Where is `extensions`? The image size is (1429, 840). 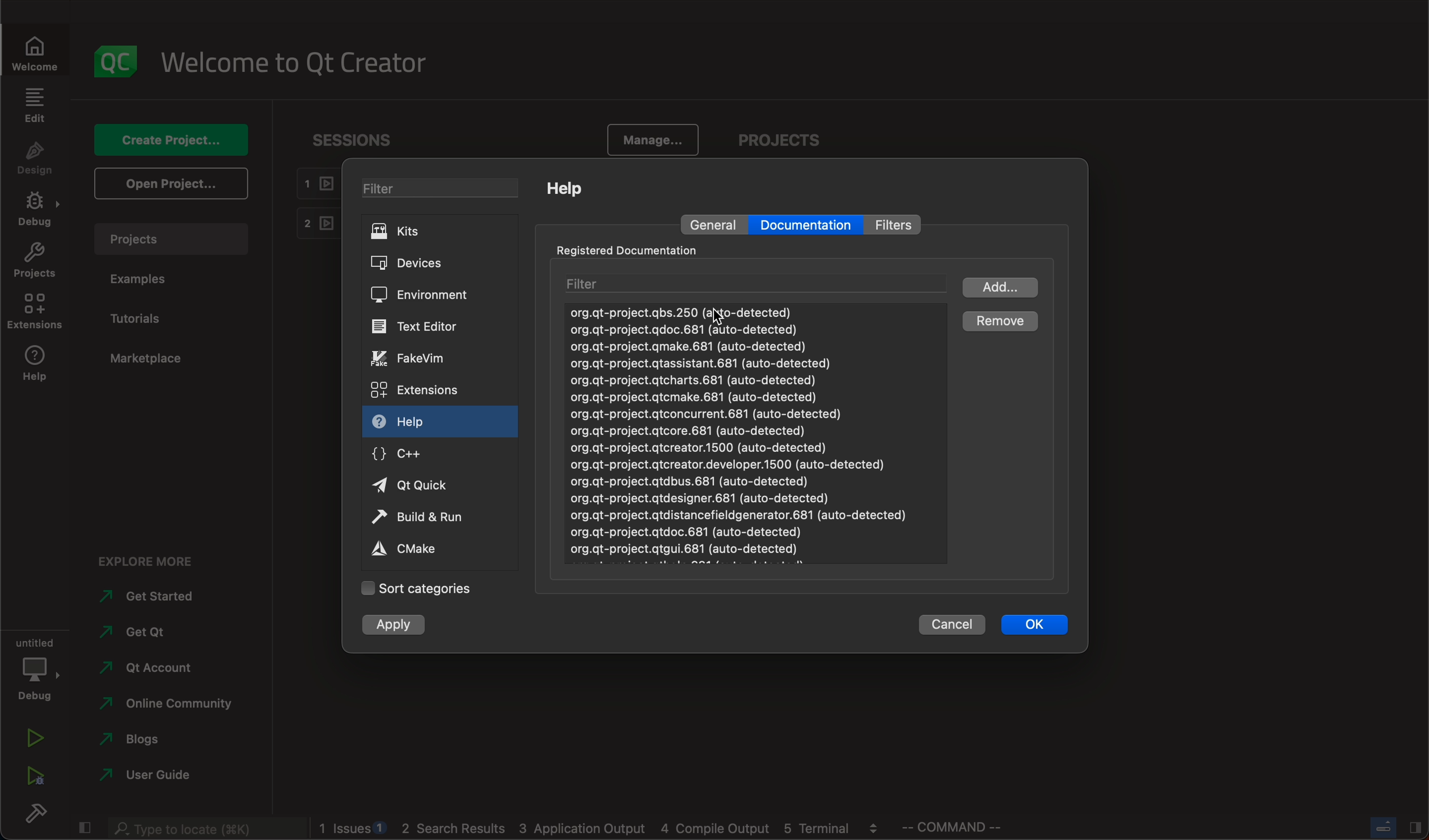 extensions is located at coordinates (417, 389).